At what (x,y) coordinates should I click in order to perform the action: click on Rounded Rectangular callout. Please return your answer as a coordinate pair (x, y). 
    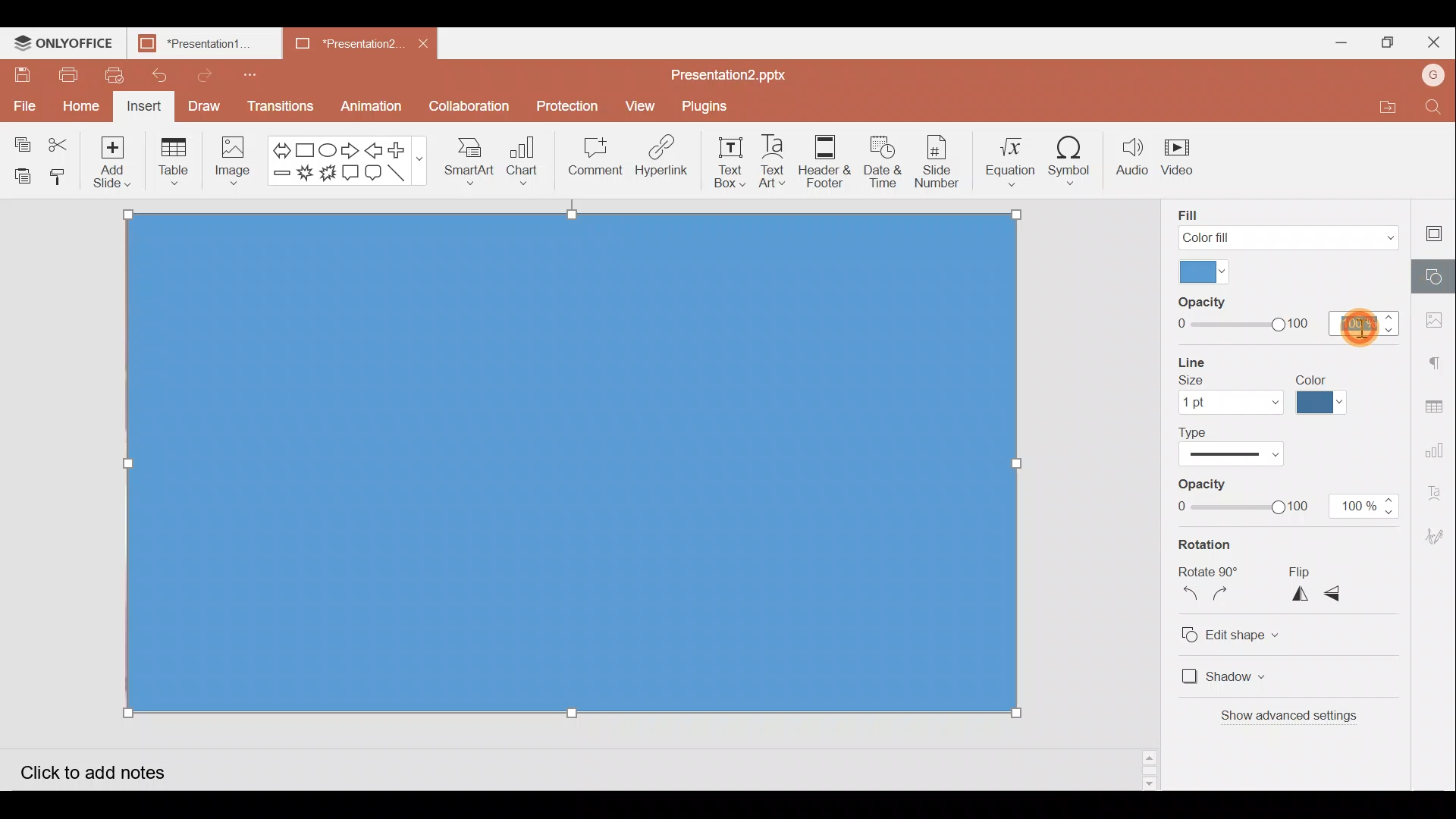
    Looking at the image, I should click on (375, 174).